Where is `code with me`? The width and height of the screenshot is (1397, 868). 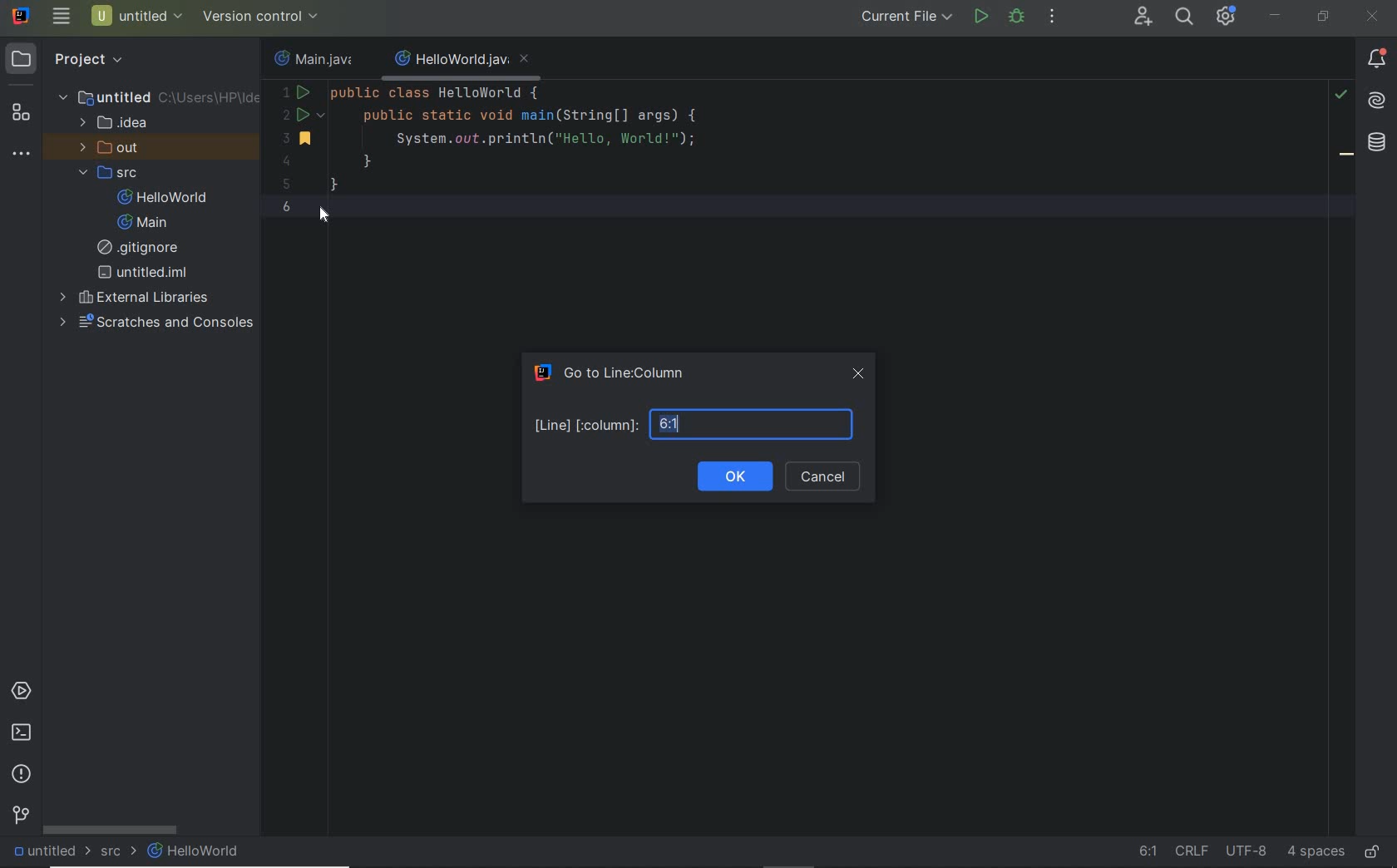 code with me is located at coordinates (1143, 17).